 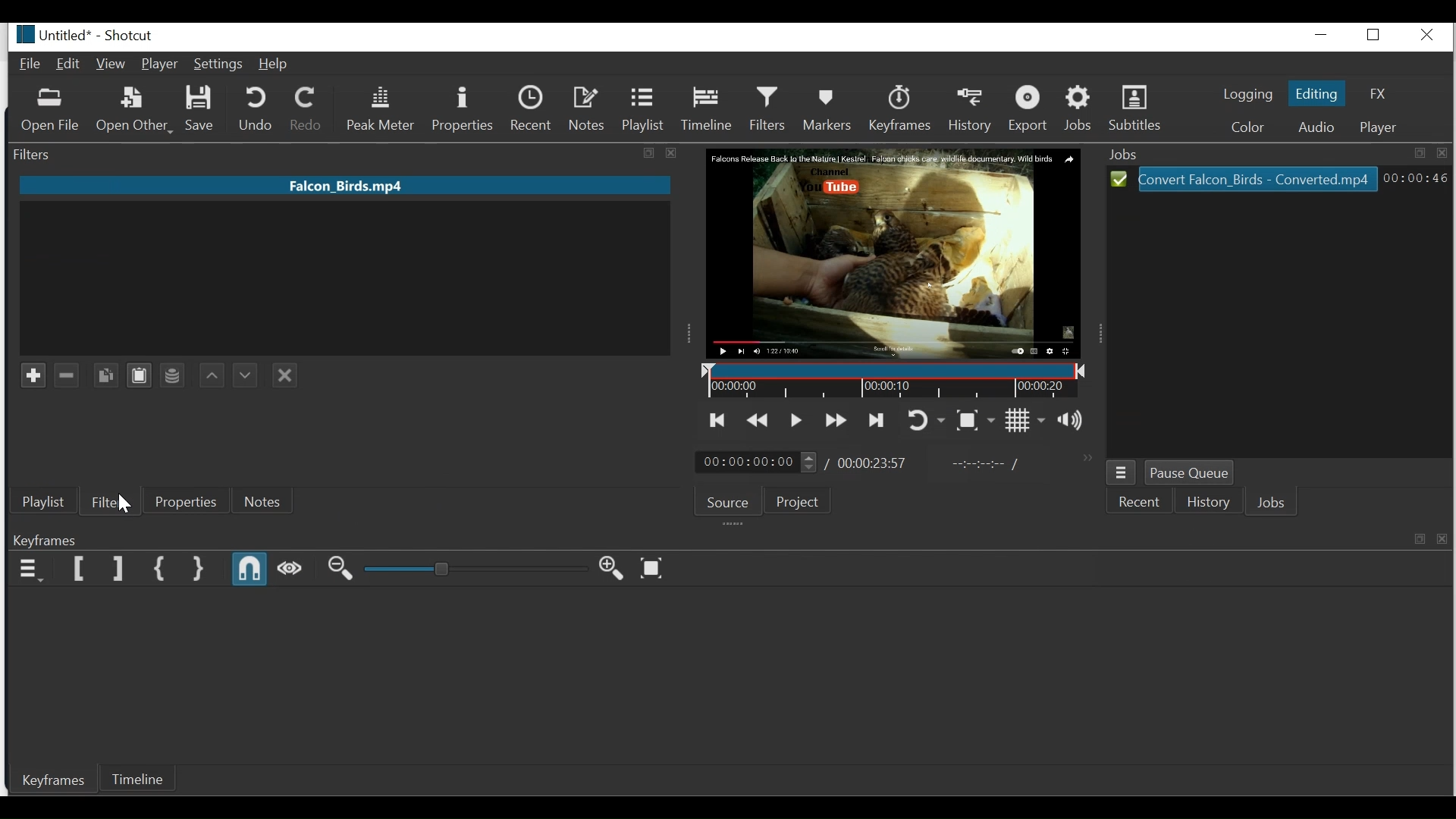 I want to click on Falcon_Birds.mp4(File Name), so click(x=345, y=186).